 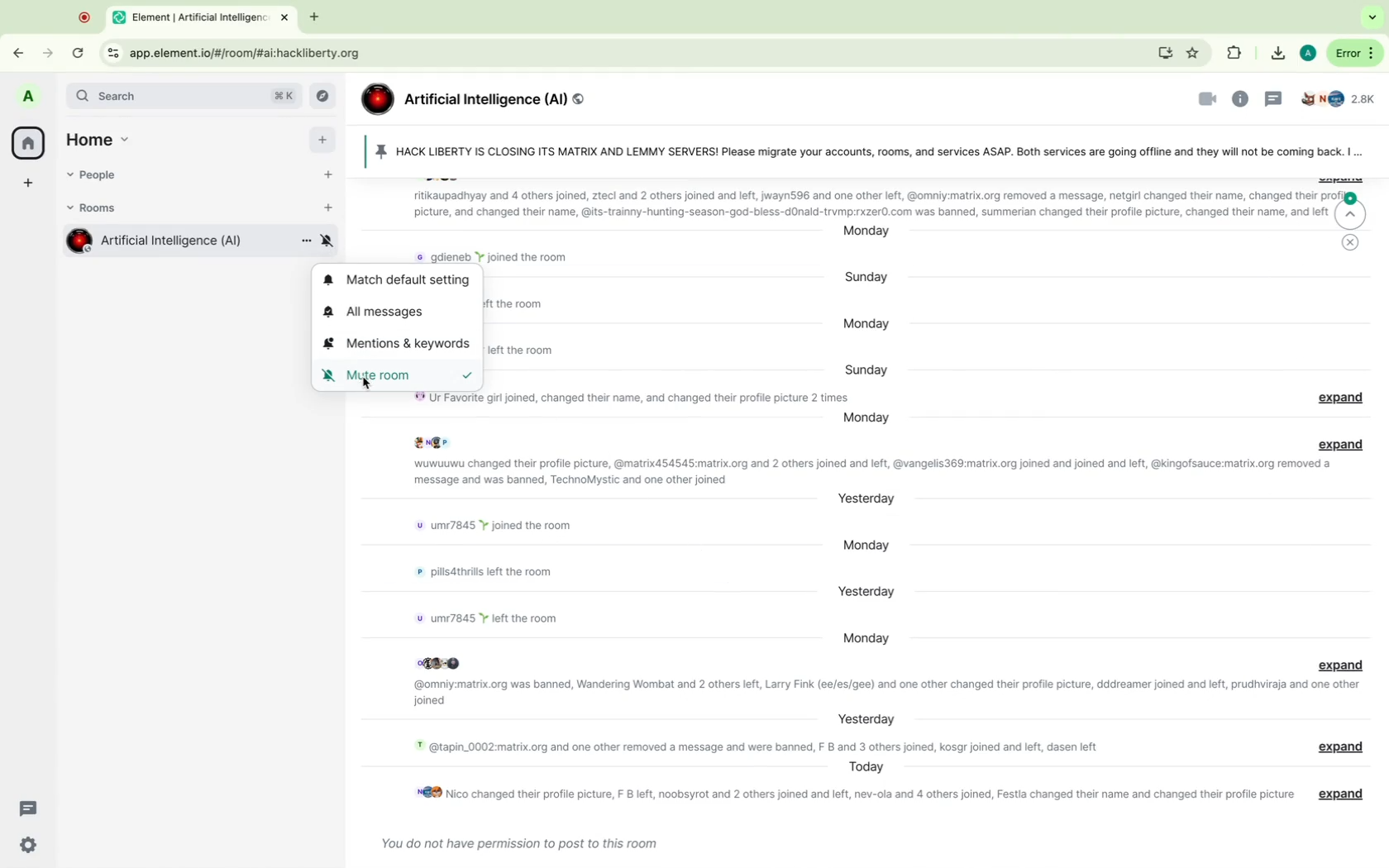 What do you see at coordinates (865, 637) in the screenshot?
I see `day` at bounding box center [865, 637].